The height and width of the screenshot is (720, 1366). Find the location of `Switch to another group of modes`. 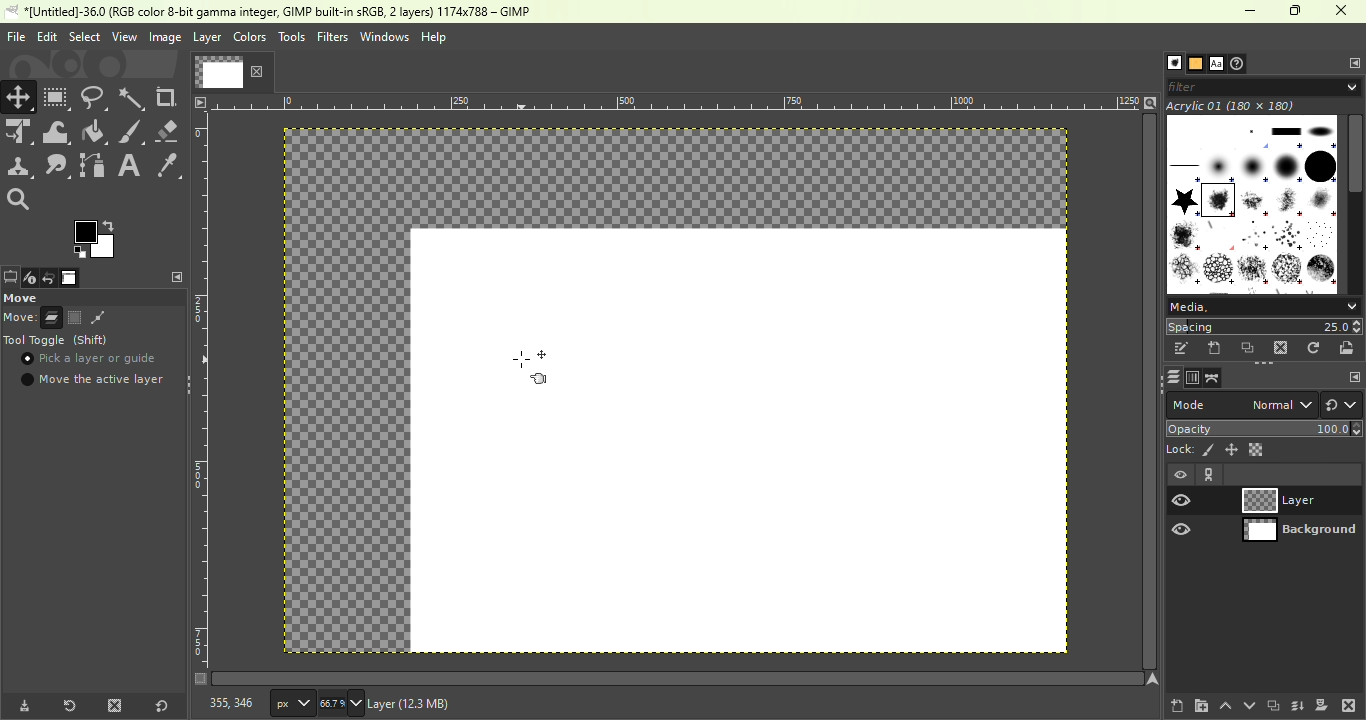

Switch to another group of modes is located at coordinates (1342, 405).